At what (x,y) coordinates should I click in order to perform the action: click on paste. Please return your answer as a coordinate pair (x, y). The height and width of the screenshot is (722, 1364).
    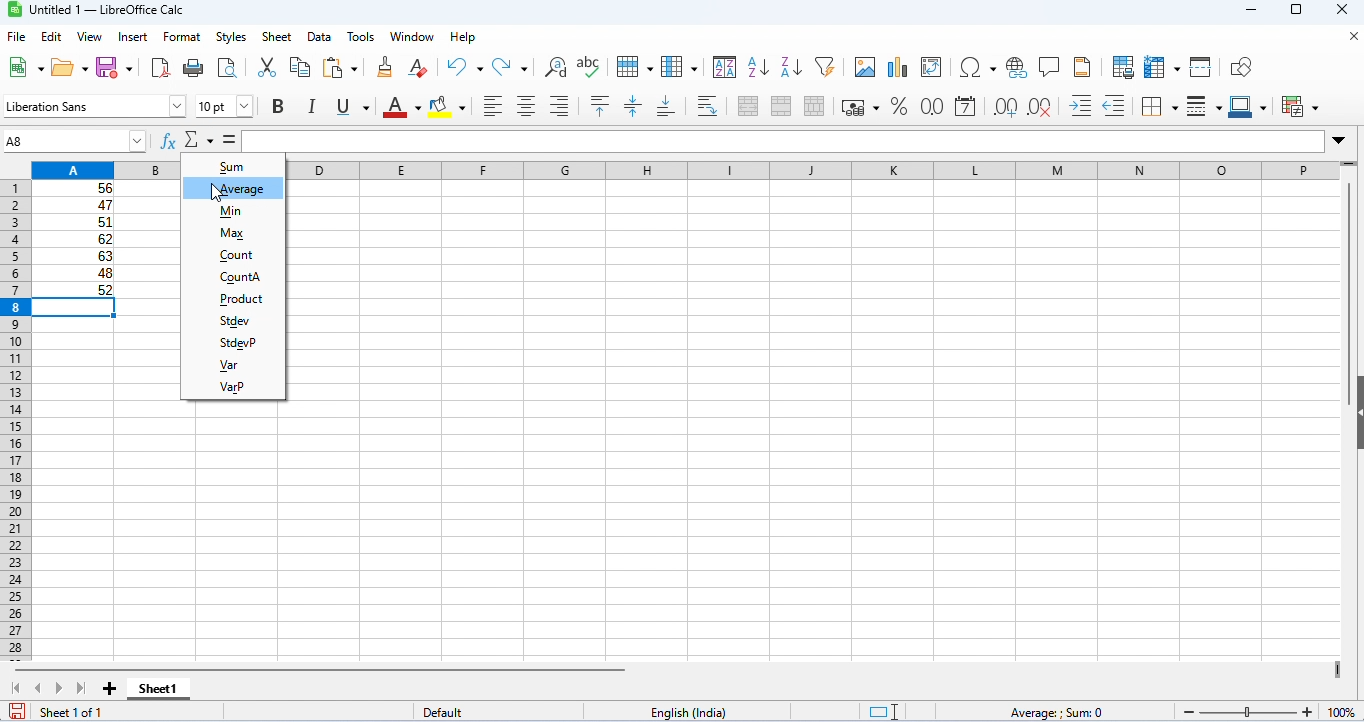
    Looking at the image, I should click on (344, 68).